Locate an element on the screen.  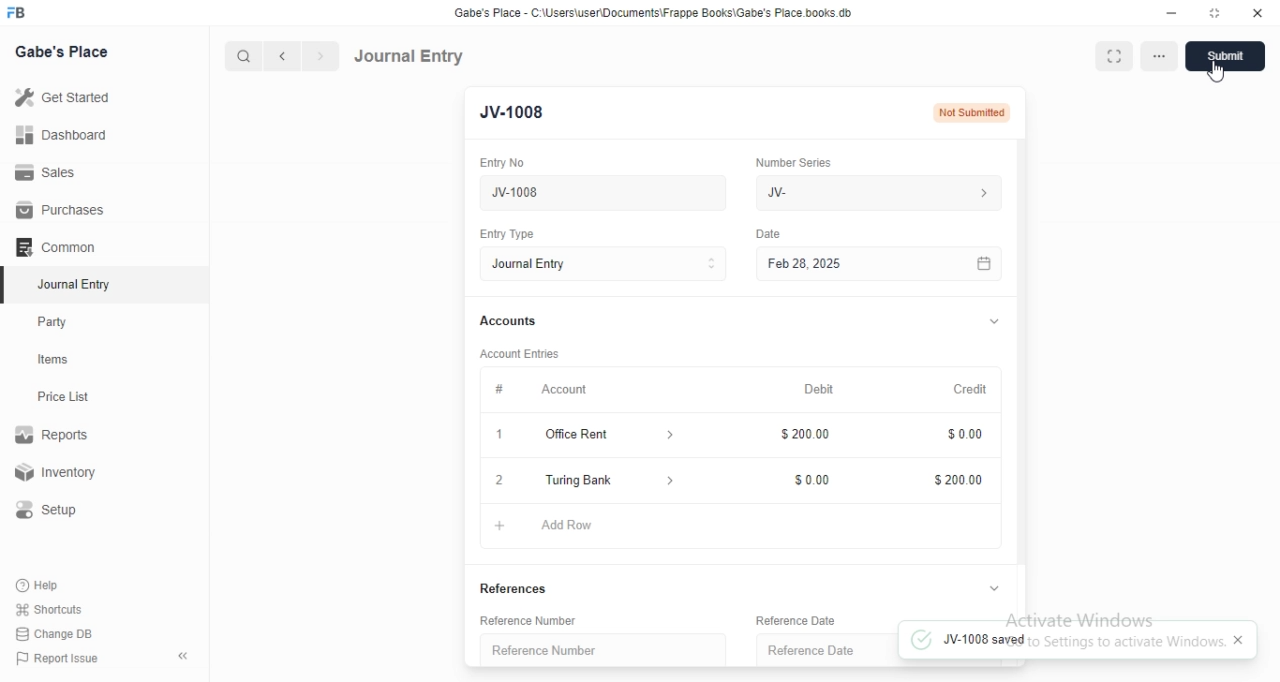
Reference Number is located at coordinates (542, 650).